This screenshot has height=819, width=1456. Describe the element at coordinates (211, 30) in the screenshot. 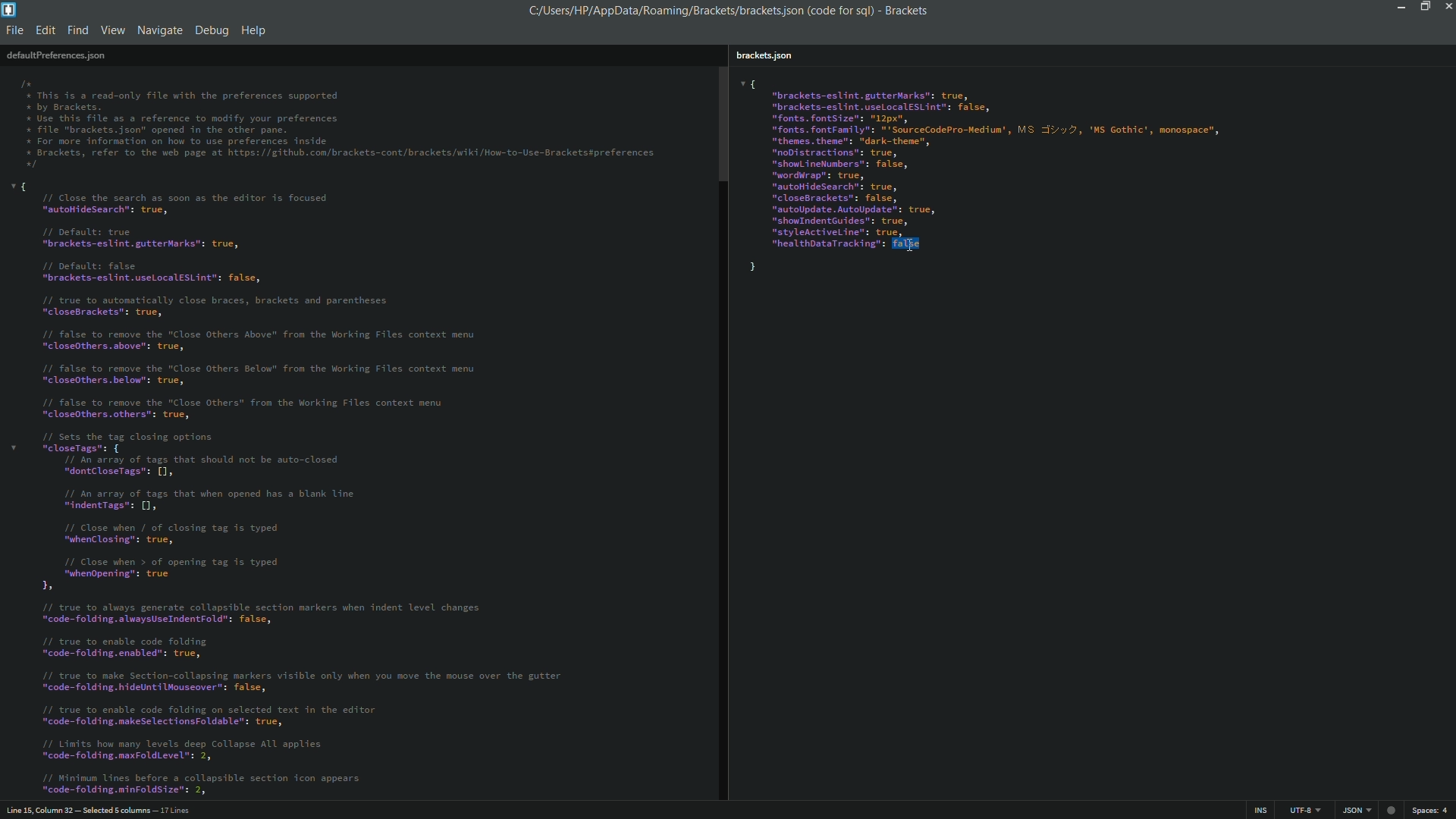

I see `debug menu` at that location.